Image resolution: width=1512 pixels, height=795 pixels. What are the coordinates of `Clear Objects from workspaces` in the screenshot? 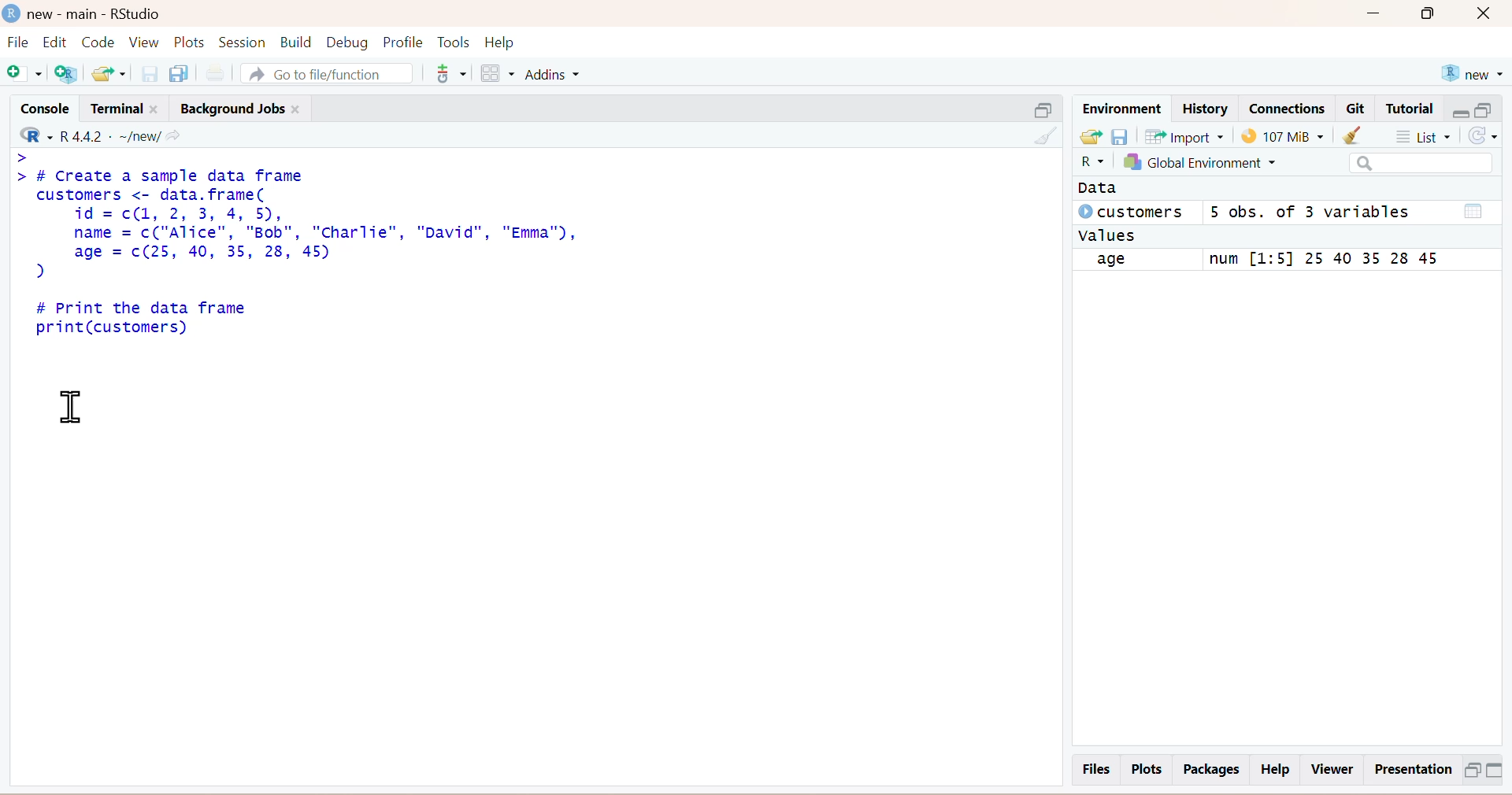 It's located at (1366, 136).